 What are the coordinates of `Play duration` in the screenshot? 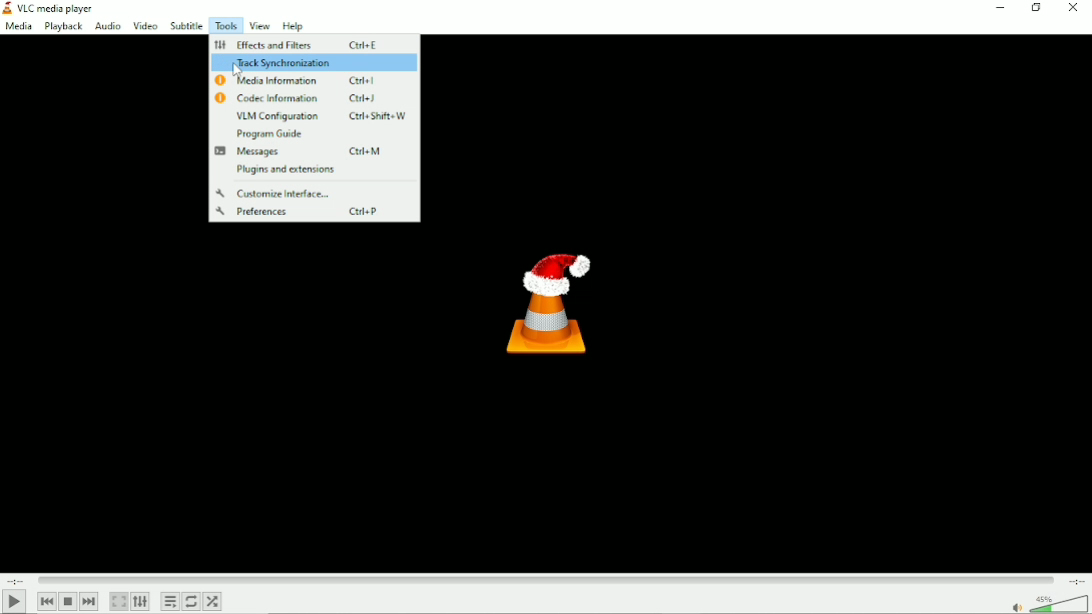 It's located at (546, 579).